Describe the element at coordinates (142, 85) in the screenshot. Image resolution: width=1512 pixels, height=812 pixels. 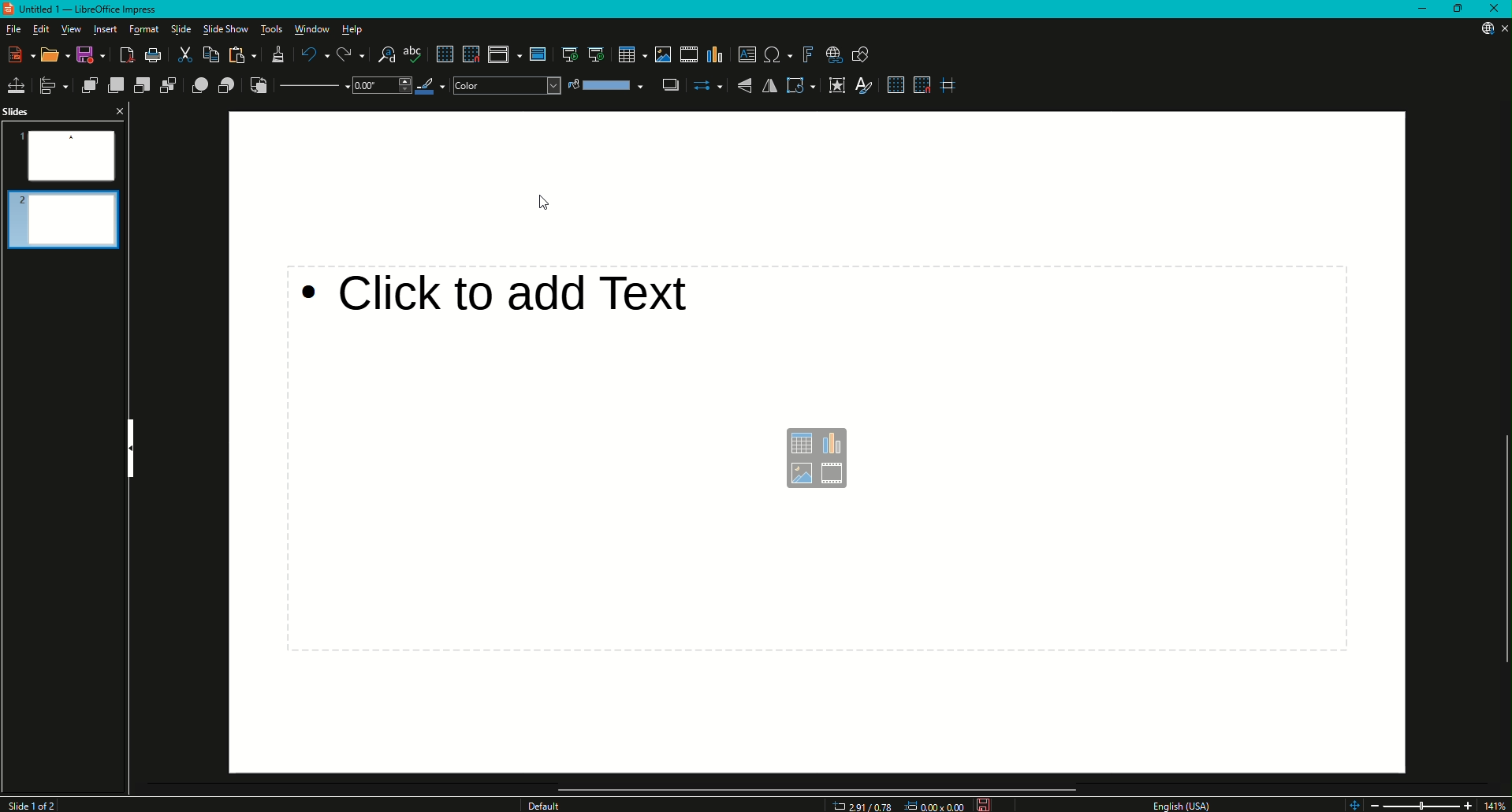
I see `Send Backward` at that location.